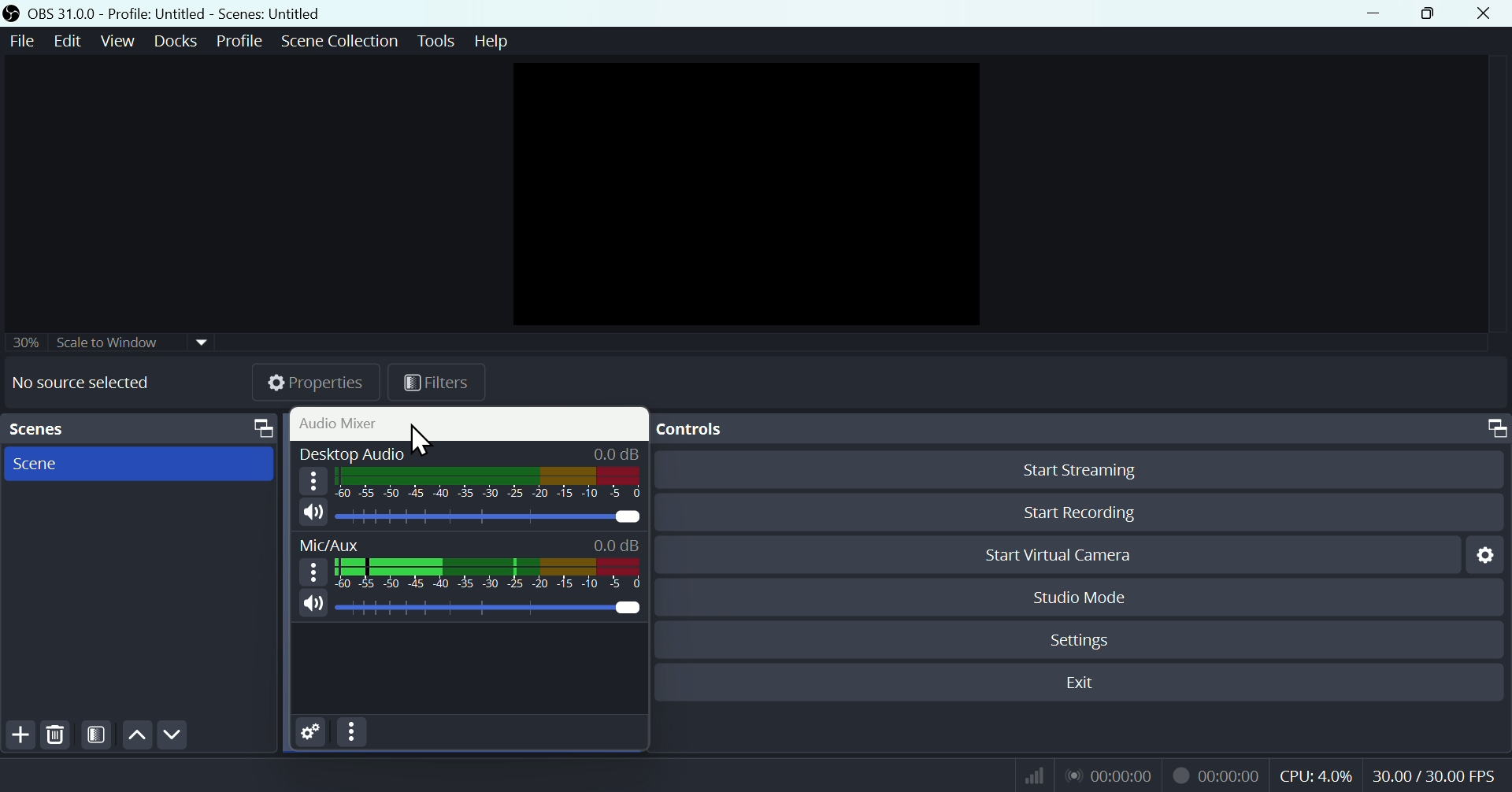 This screenshot has width=1512, height=792. What do you see at coordinates (97, 735) in the screenshot?
I see `Contrast` at bounding box center [97, 735].